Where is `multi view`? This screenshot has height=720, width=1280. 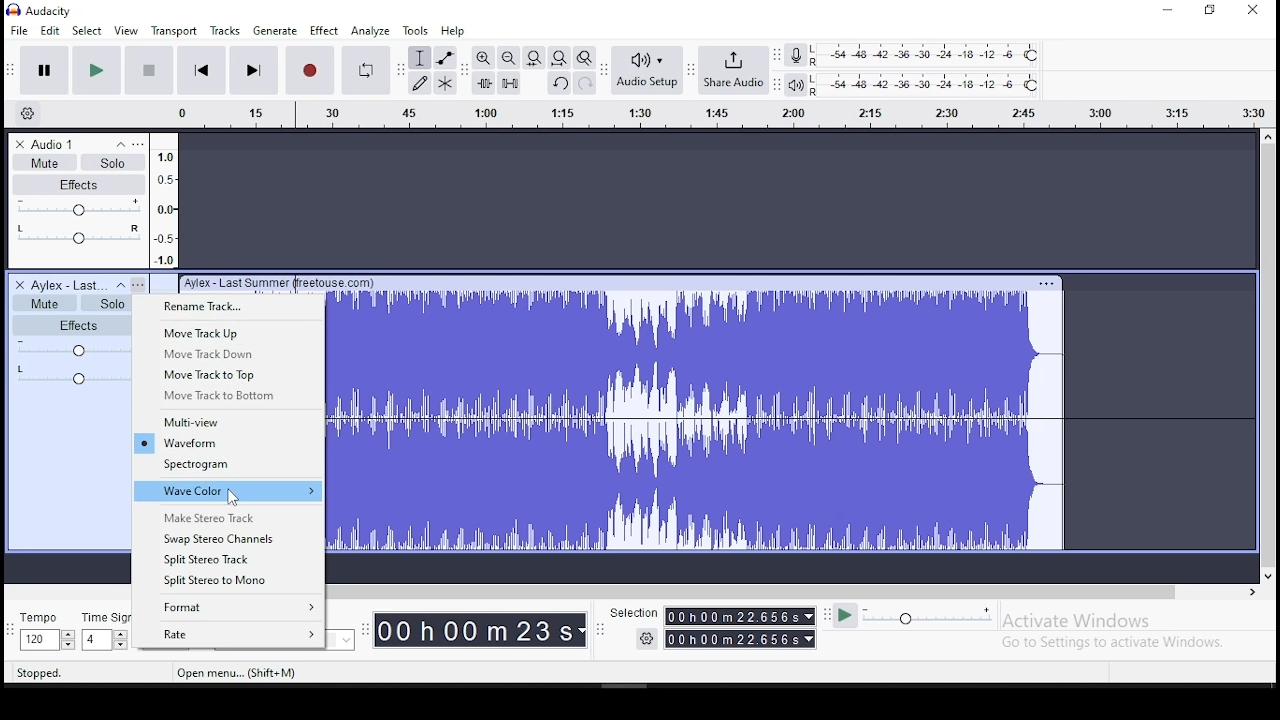 multi view is located at coordinates (229, 422).